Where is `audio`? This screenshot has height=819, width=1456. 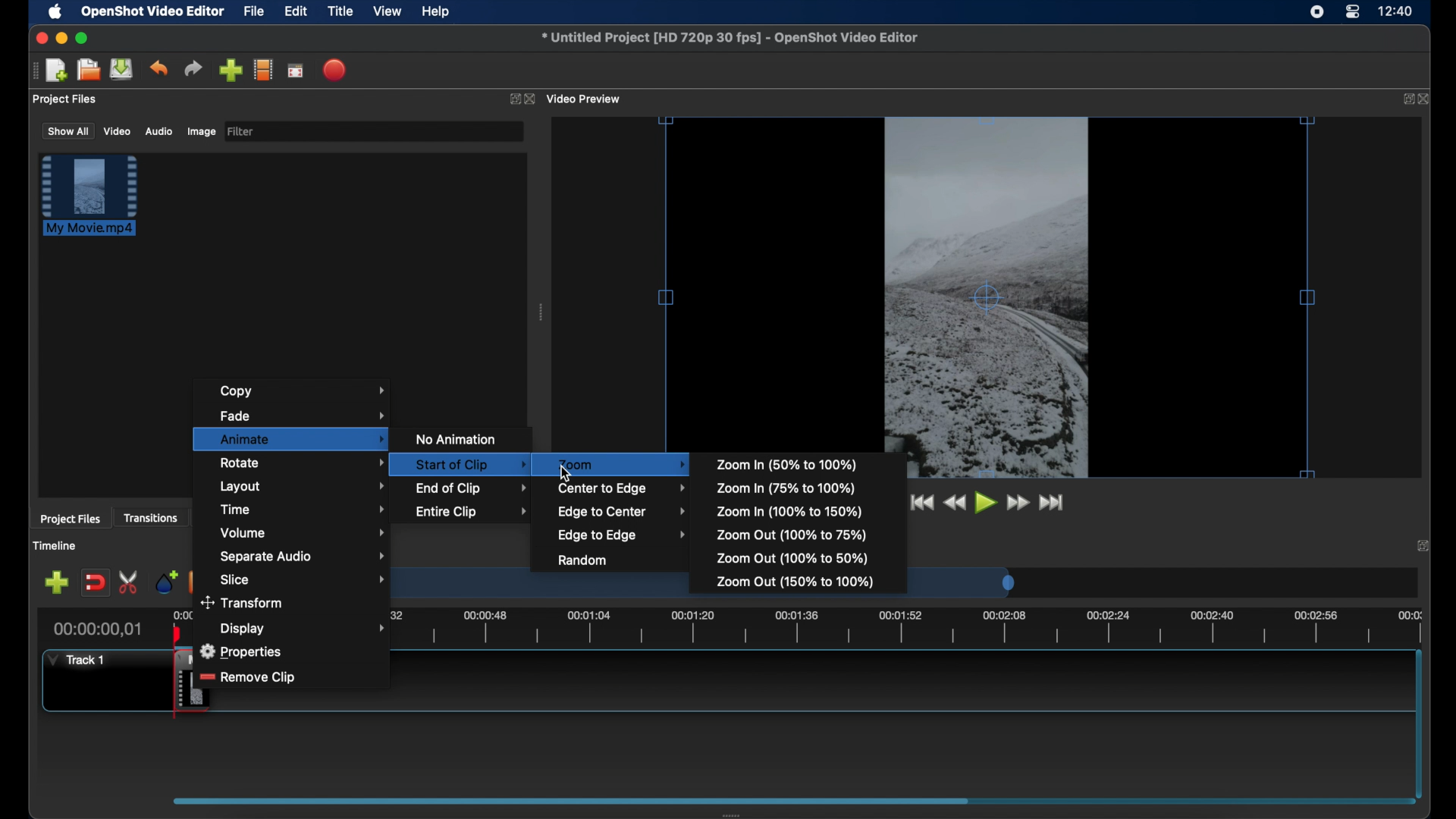 audio is located at coordinates (158, 132).